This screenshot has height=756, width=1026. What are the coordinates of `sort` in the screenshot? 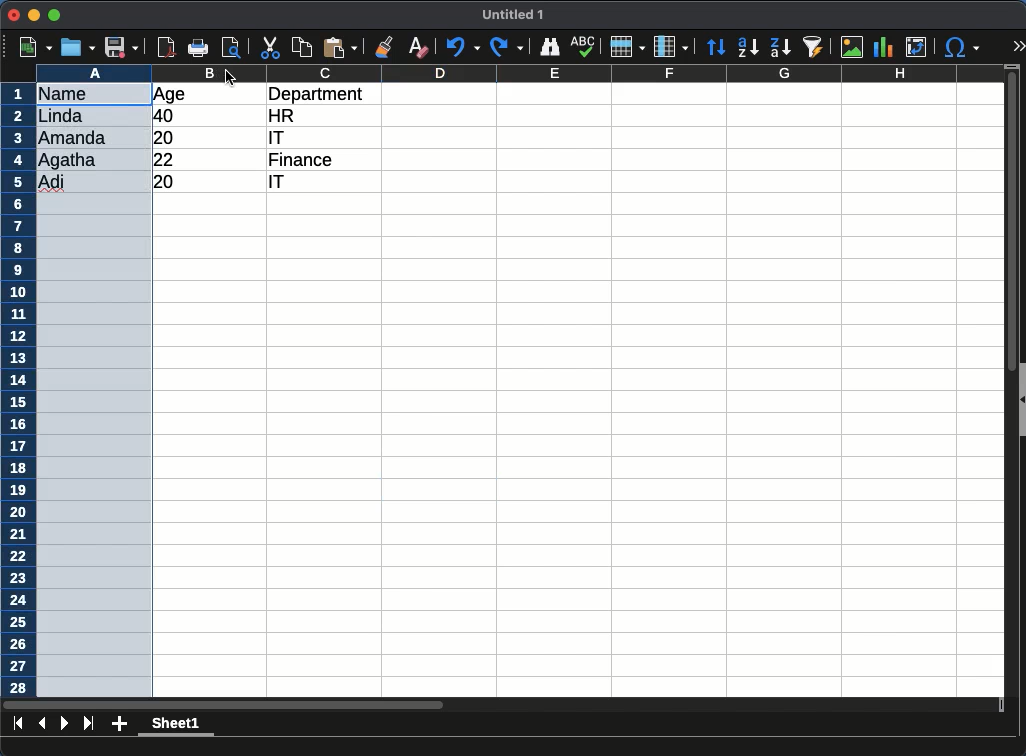 It's located at (718, 47).